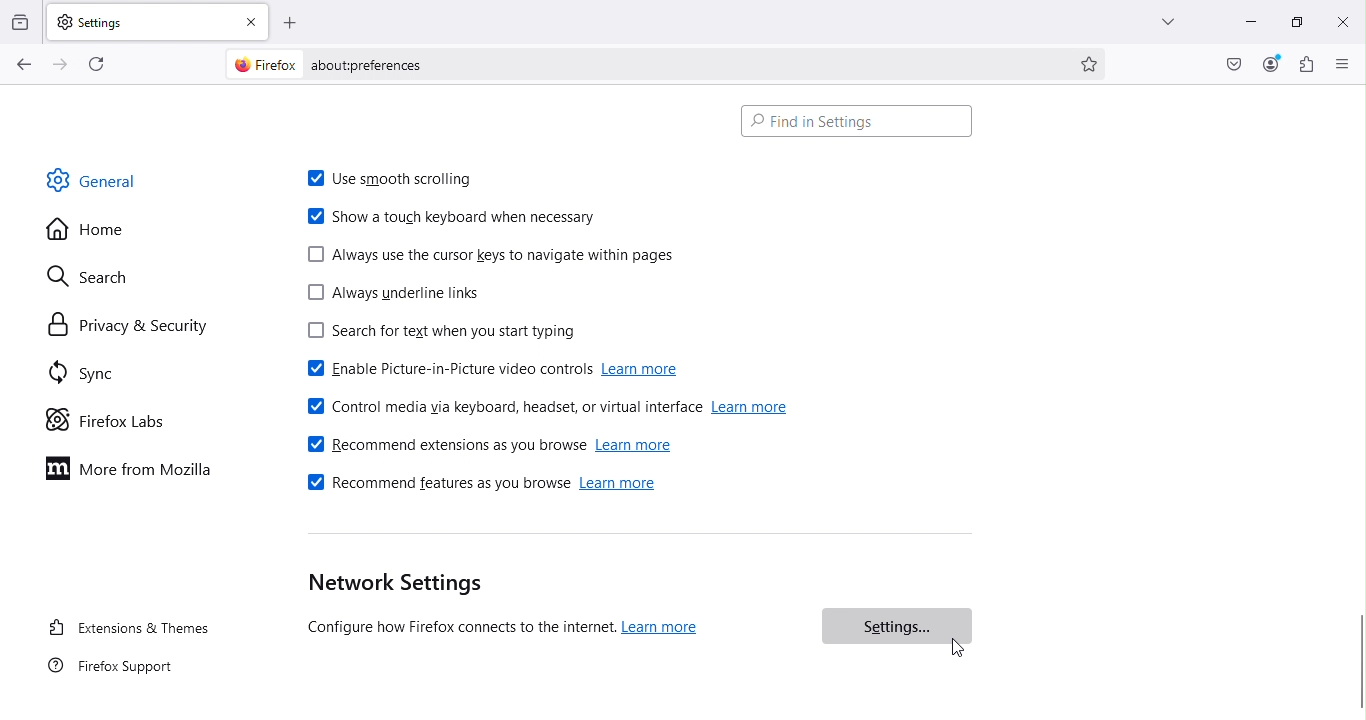 Image resolution: width=1366 pixels, height=720 pixels. Describe the element at coordinates (24, 65) in the screenshot. I see `Go back one page` at that location.